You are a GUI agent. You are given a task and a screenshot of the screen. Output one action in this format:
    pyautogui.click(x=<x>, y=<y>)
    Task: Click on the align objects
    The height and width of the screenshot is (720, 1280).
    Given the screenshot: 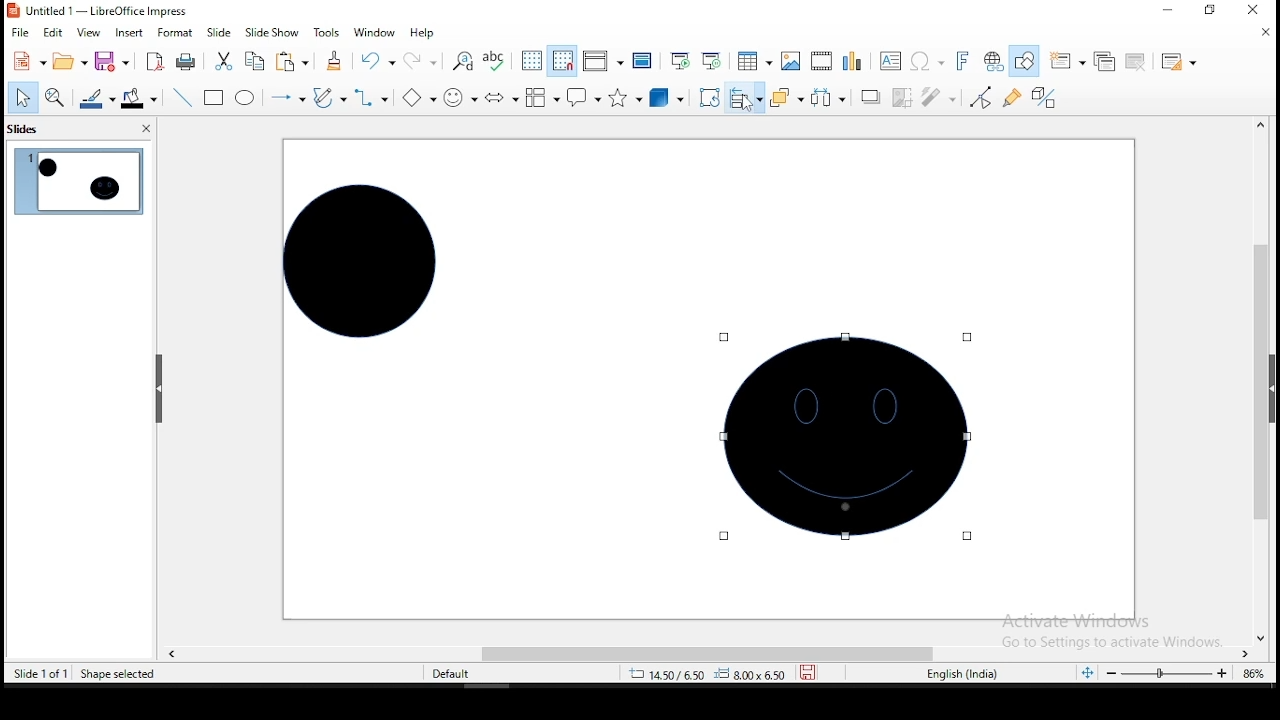 What is the action you would take?
    pyautogui.click(x=745, y=100)
    